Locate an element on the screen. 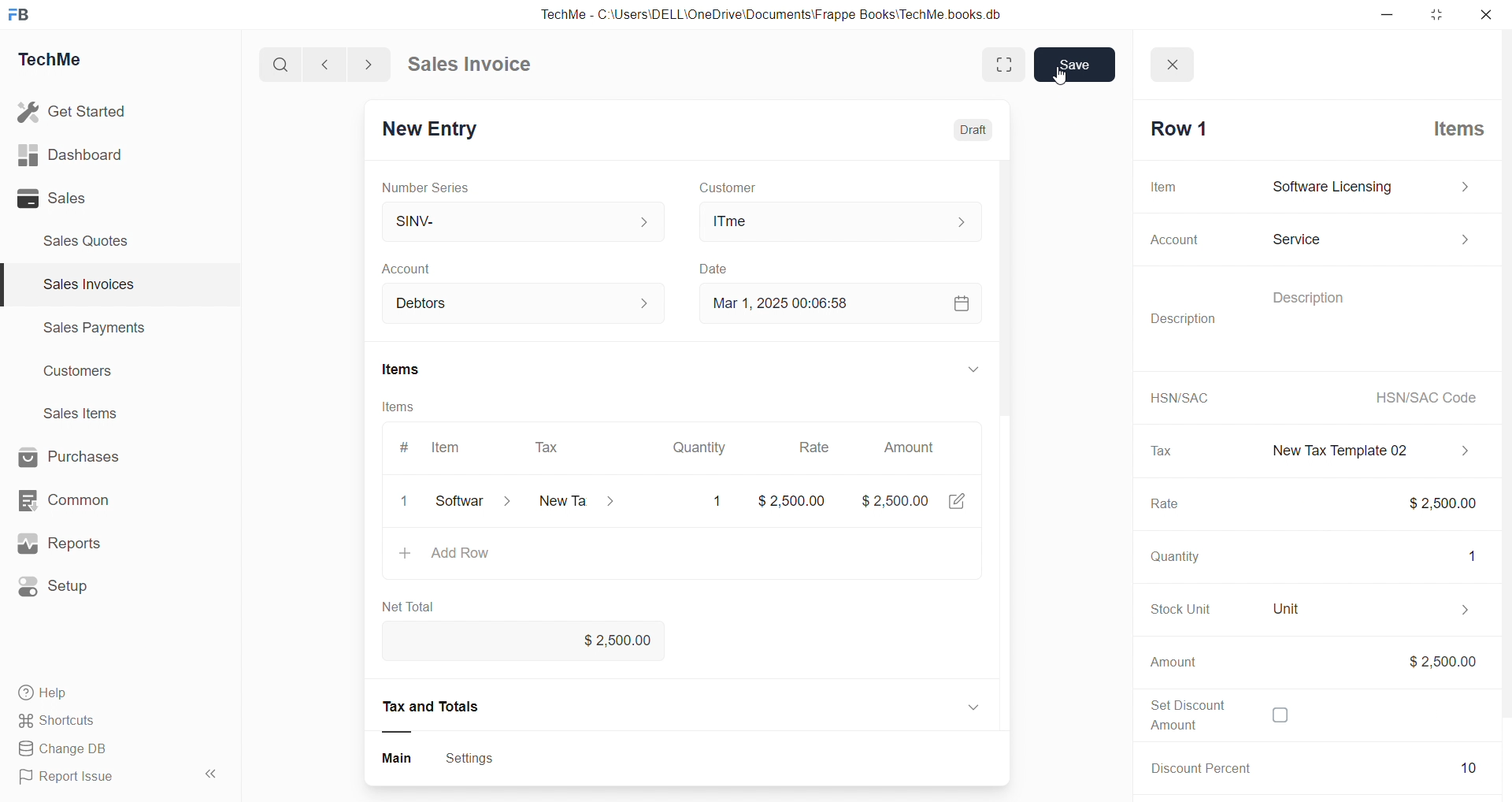 The height and width of the screenshot is (802, 1512). Items is located at coordinates (412, 408).